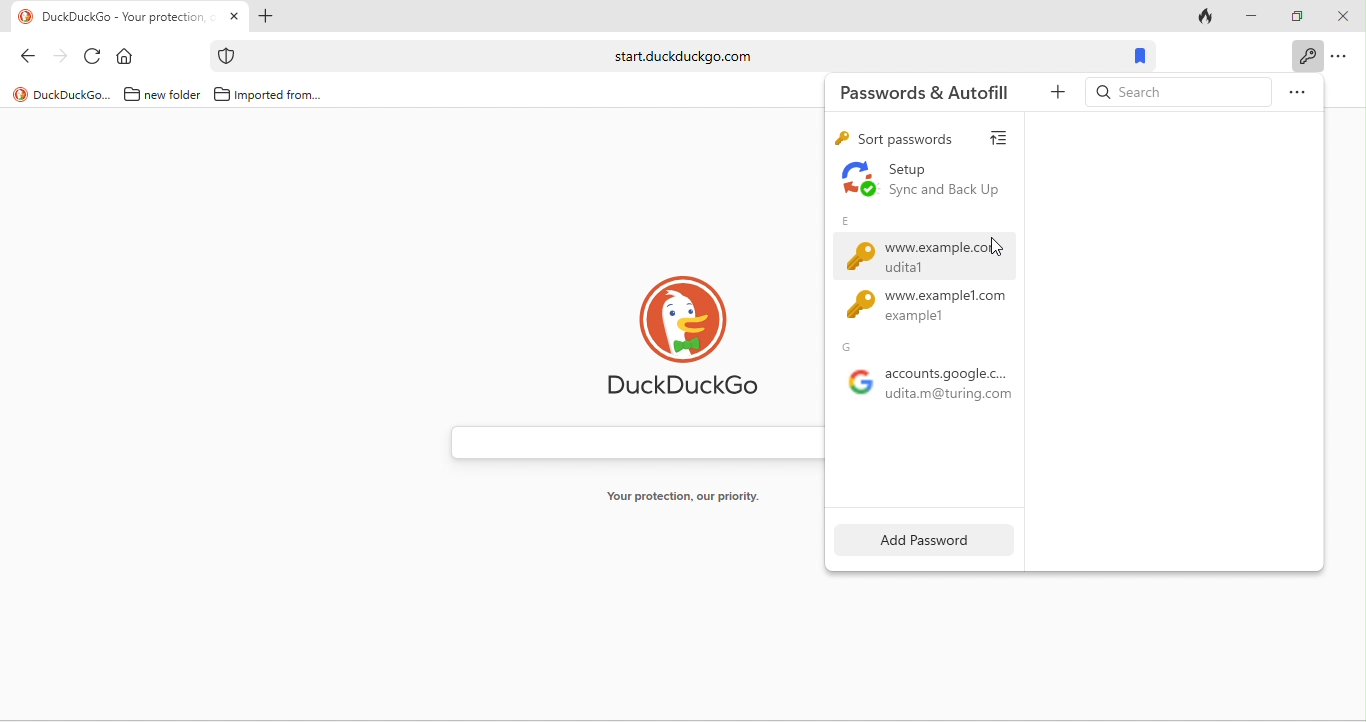 The height and width of the screenshot is (722, 1366). What do you see at coordinates (694, 341) in the screenshot?
I see `duck duck go logo` at bounding box center [694, 341].